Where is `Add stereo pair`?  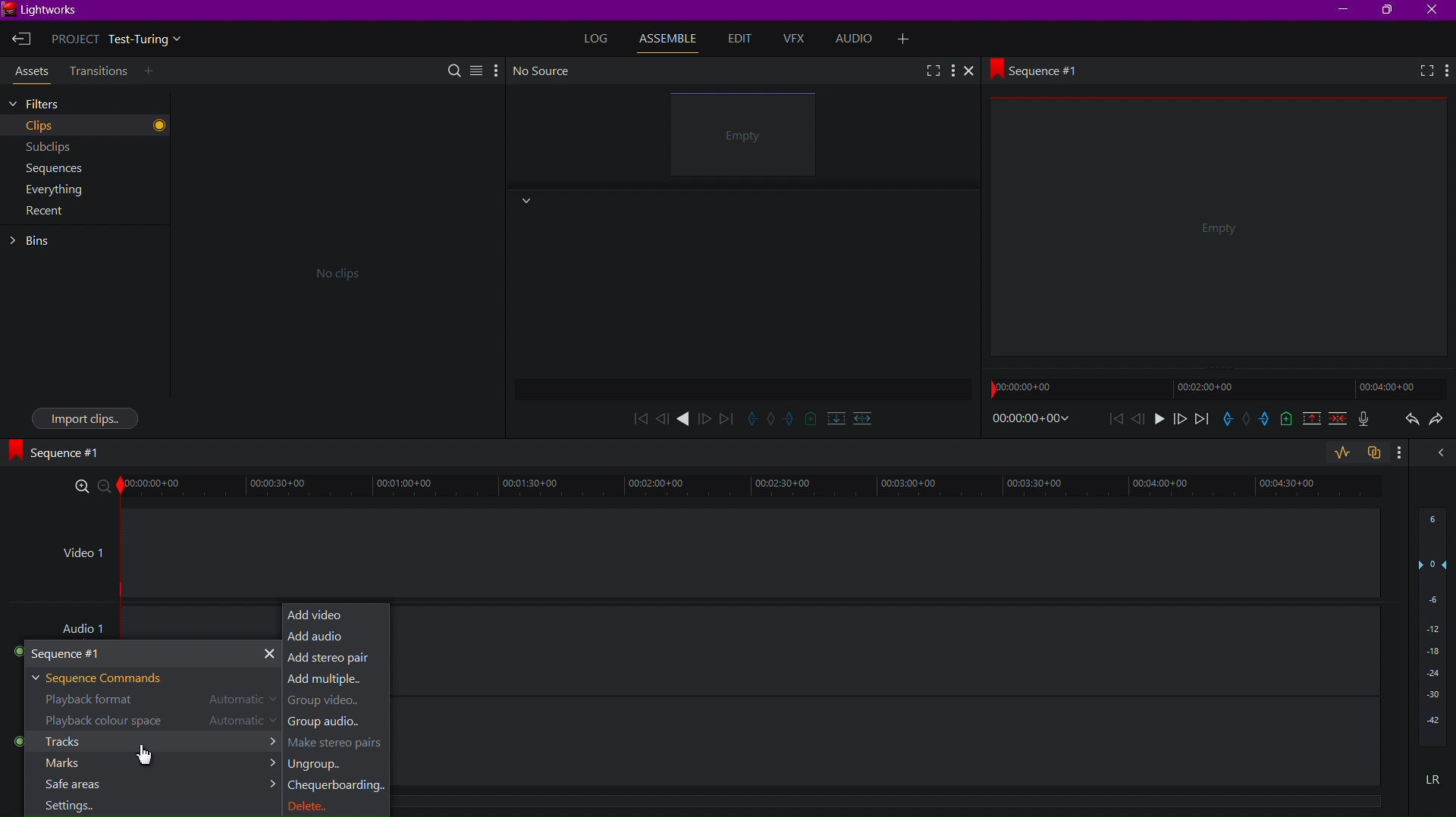 Add stereo pair is located at coordinates (334, 658).